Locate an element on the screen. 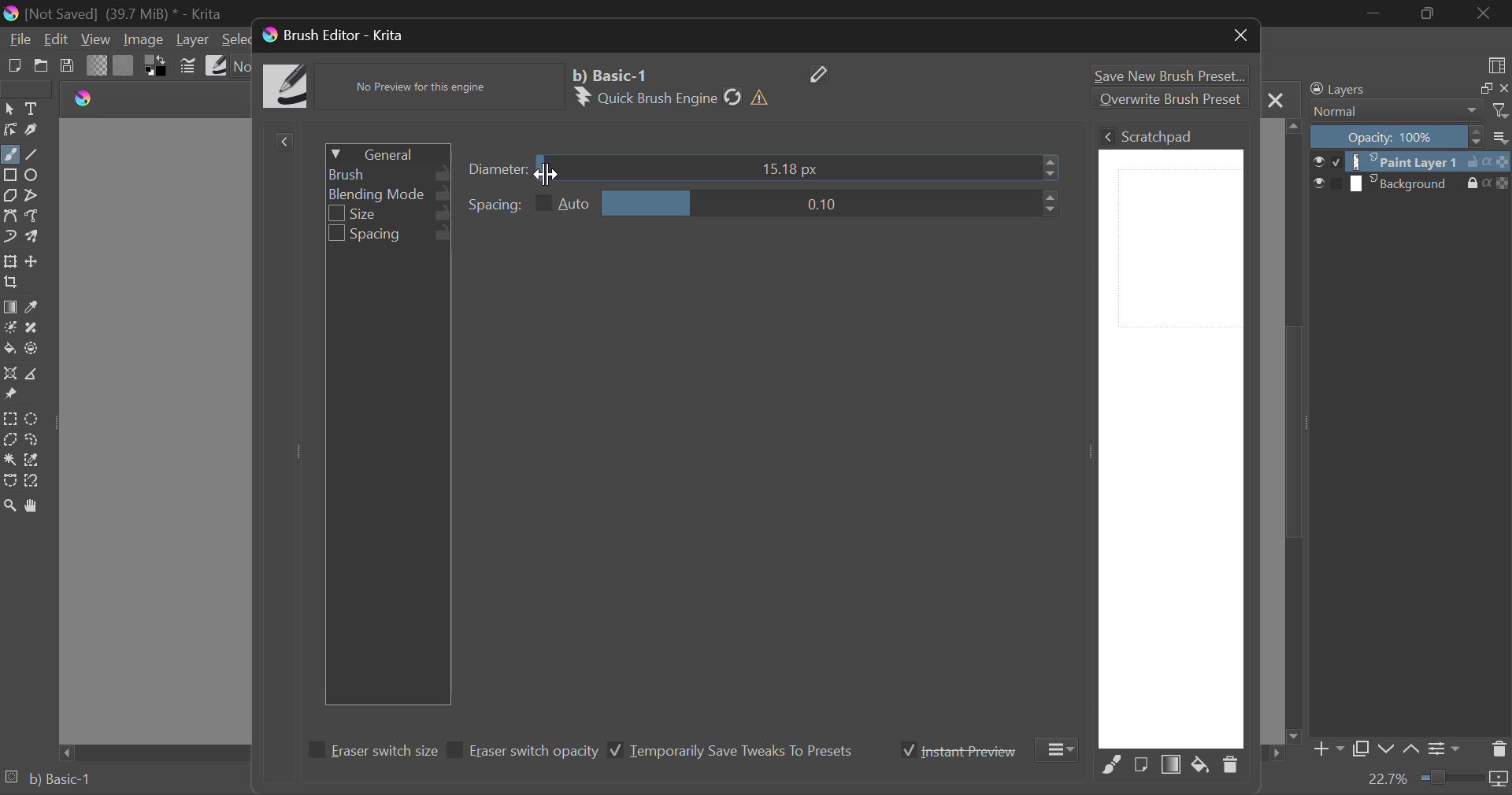  Colors in Use is located at coordinates (157, 65).